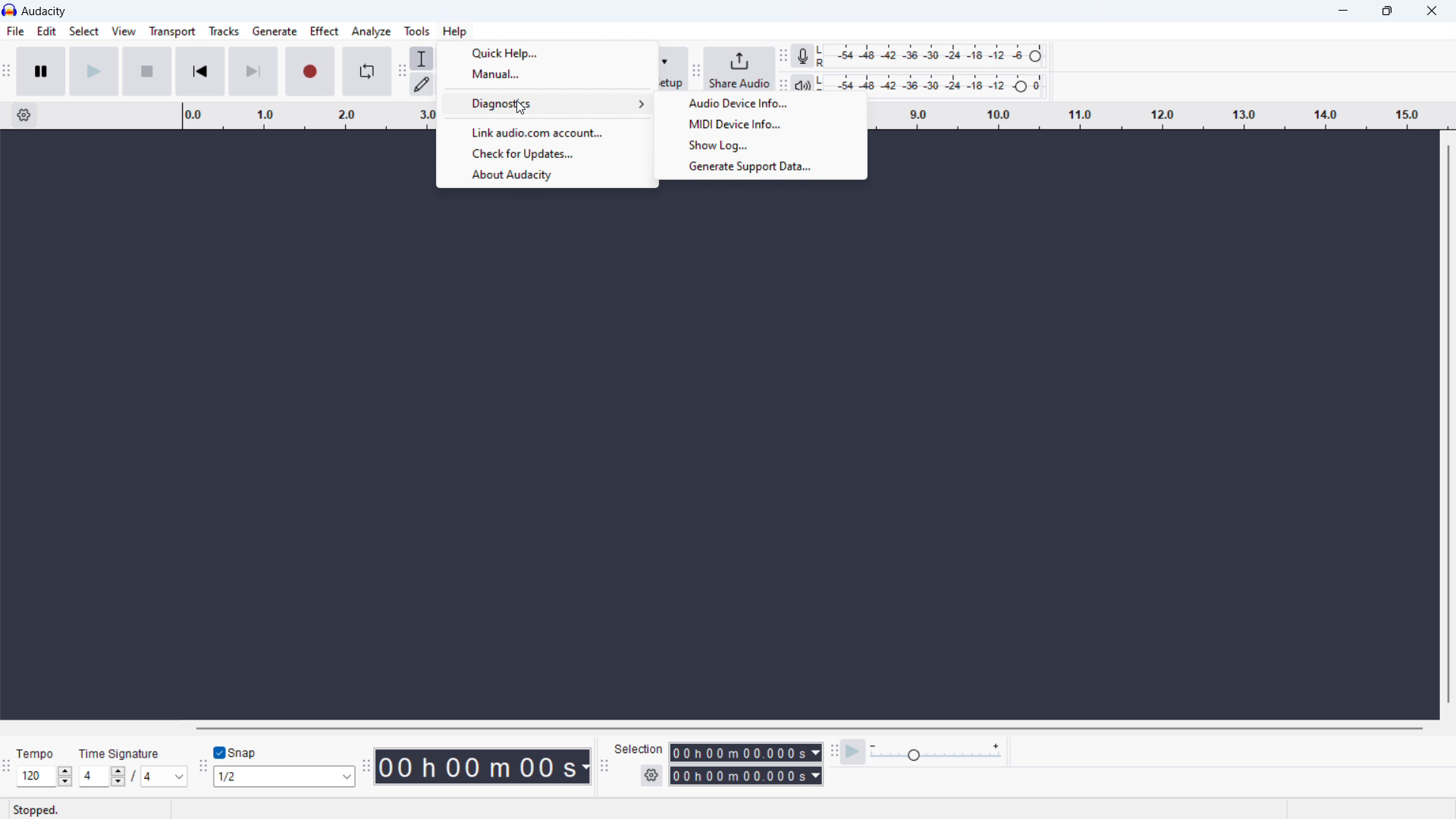 The width and height of the screenshot is (1456, 819). Describe the element at coordinates (831, 751) in the screenshot. I see `play at speed toolbar` at that location.